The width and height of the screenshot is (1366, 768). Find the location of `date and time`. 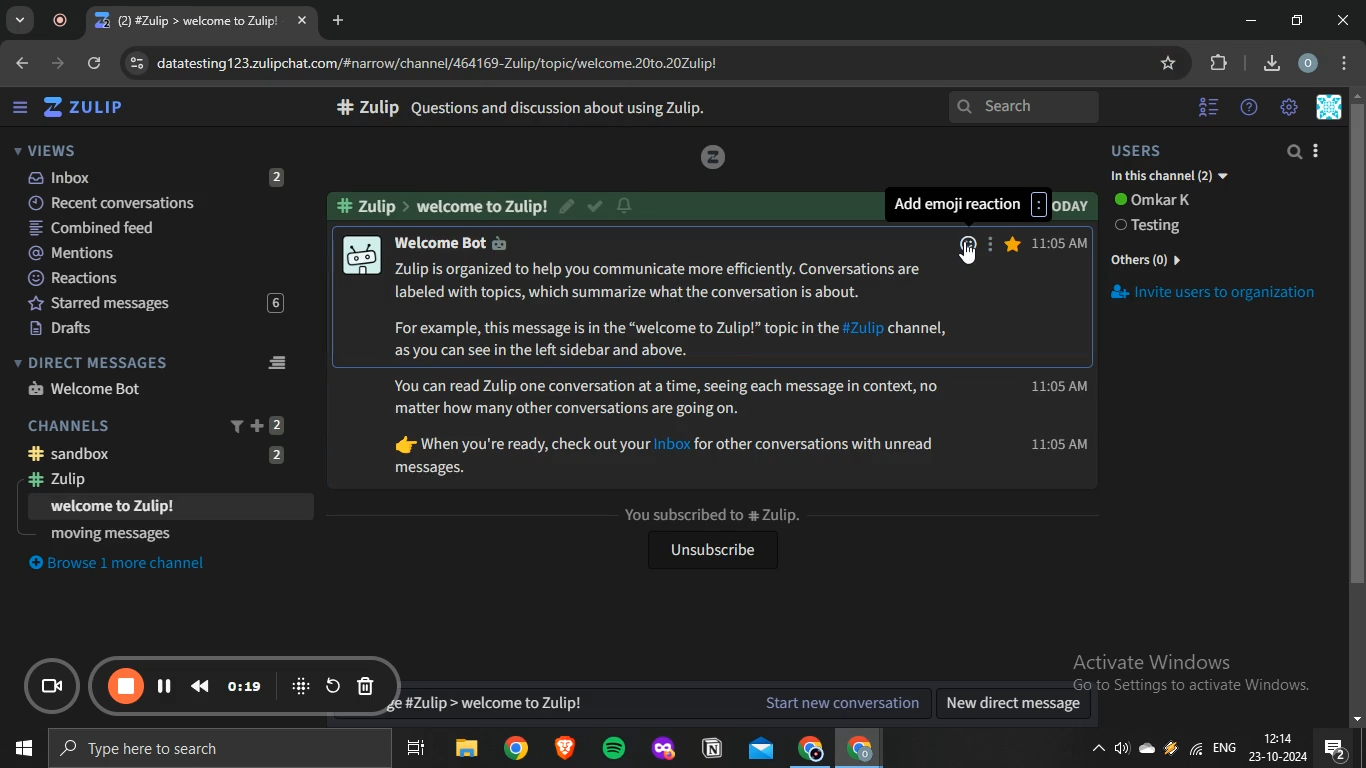

date and time is located at coordinates (1277, 749).